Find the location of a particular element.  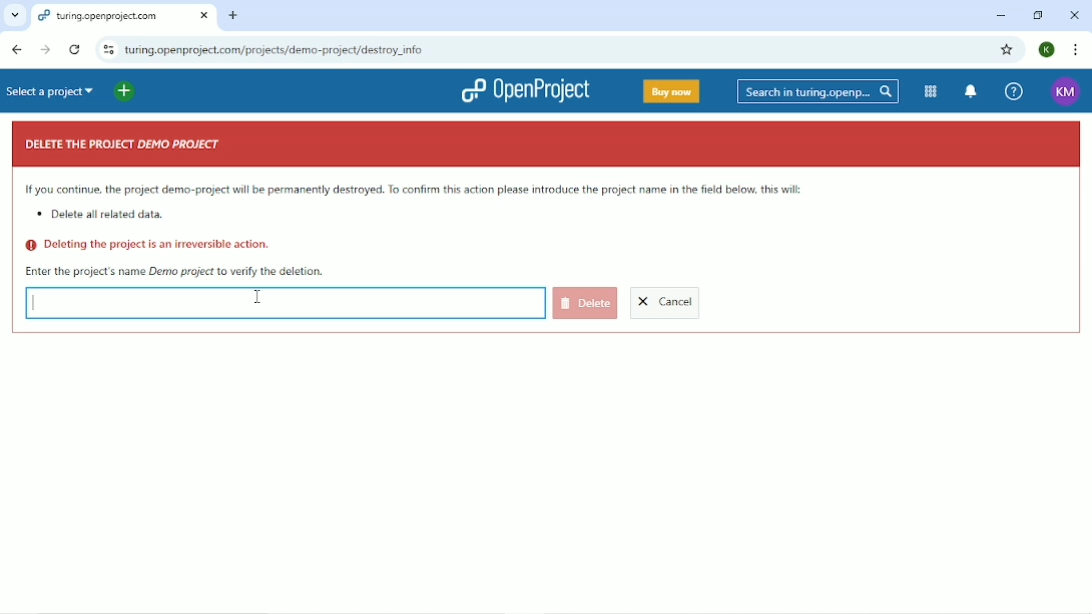

Typing curosr is located at coordinates (47, 308).